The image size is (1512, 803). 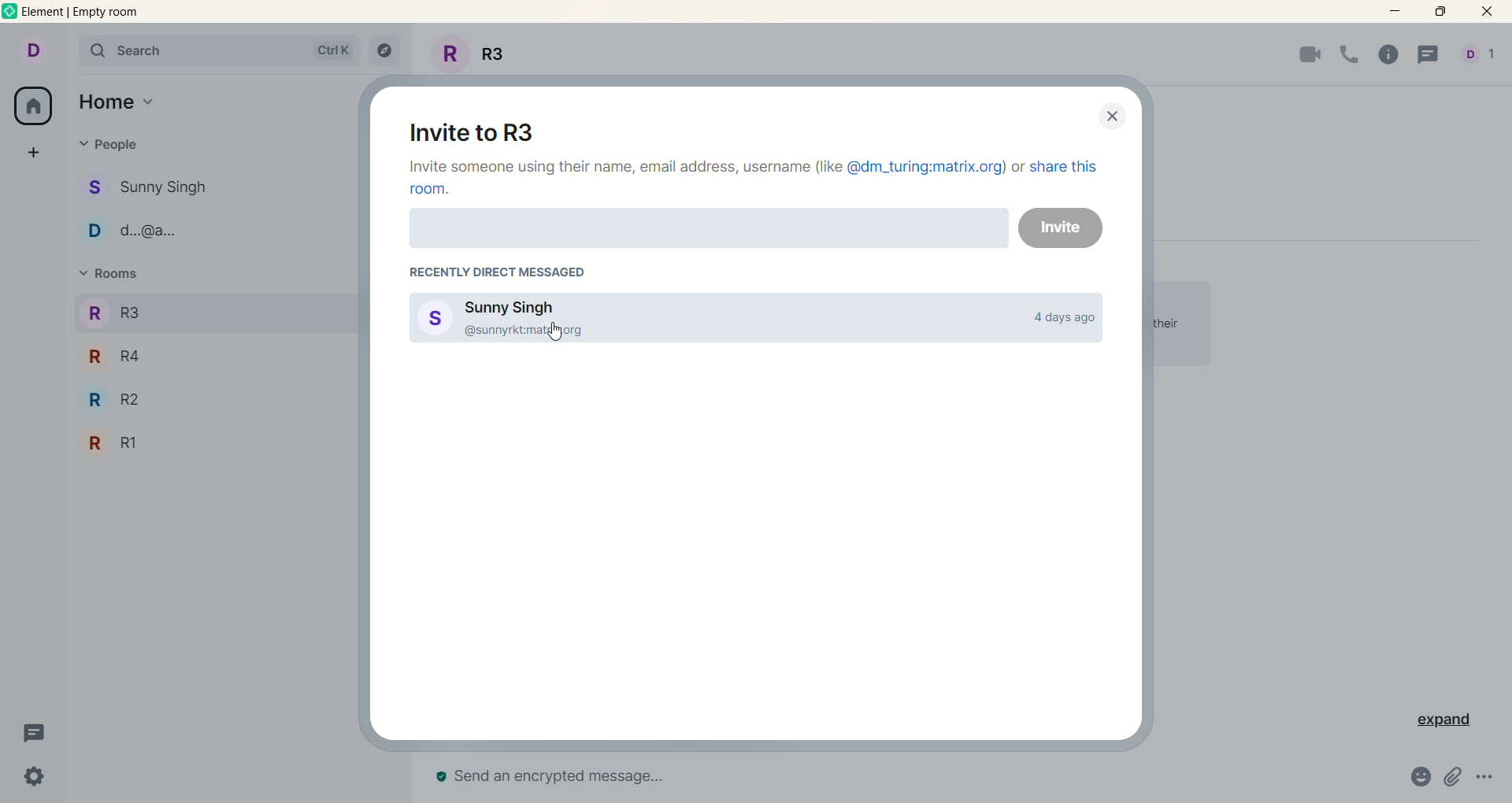 What do you see at coordinates (1453, 779) in the screenshot?
I see `attachment` at bounding box center [1453, 779].